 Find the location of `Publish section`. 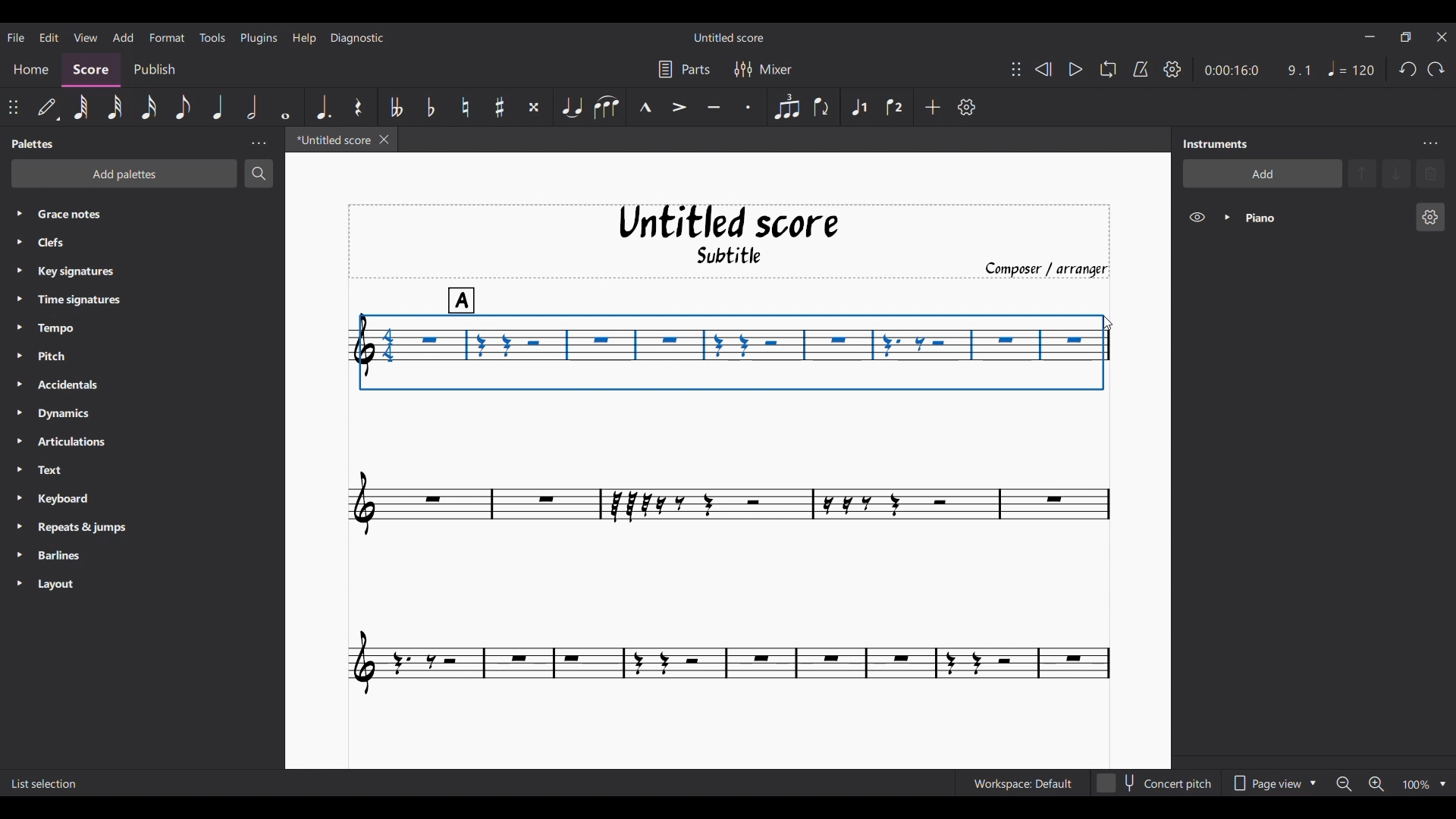

Publish section is located at coordinates (156, 67).